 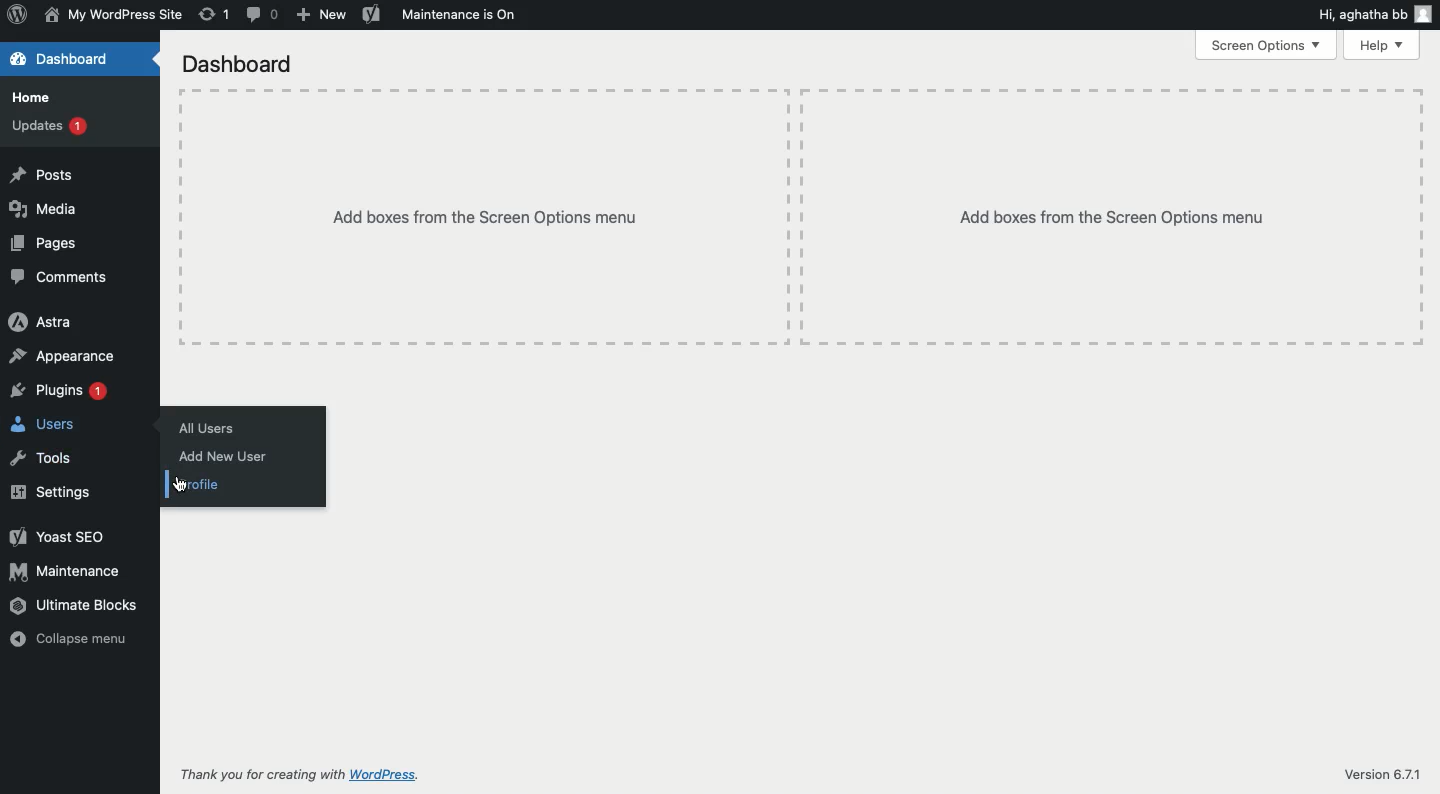 I want to click on wordpress, so click(x=387, y=775).